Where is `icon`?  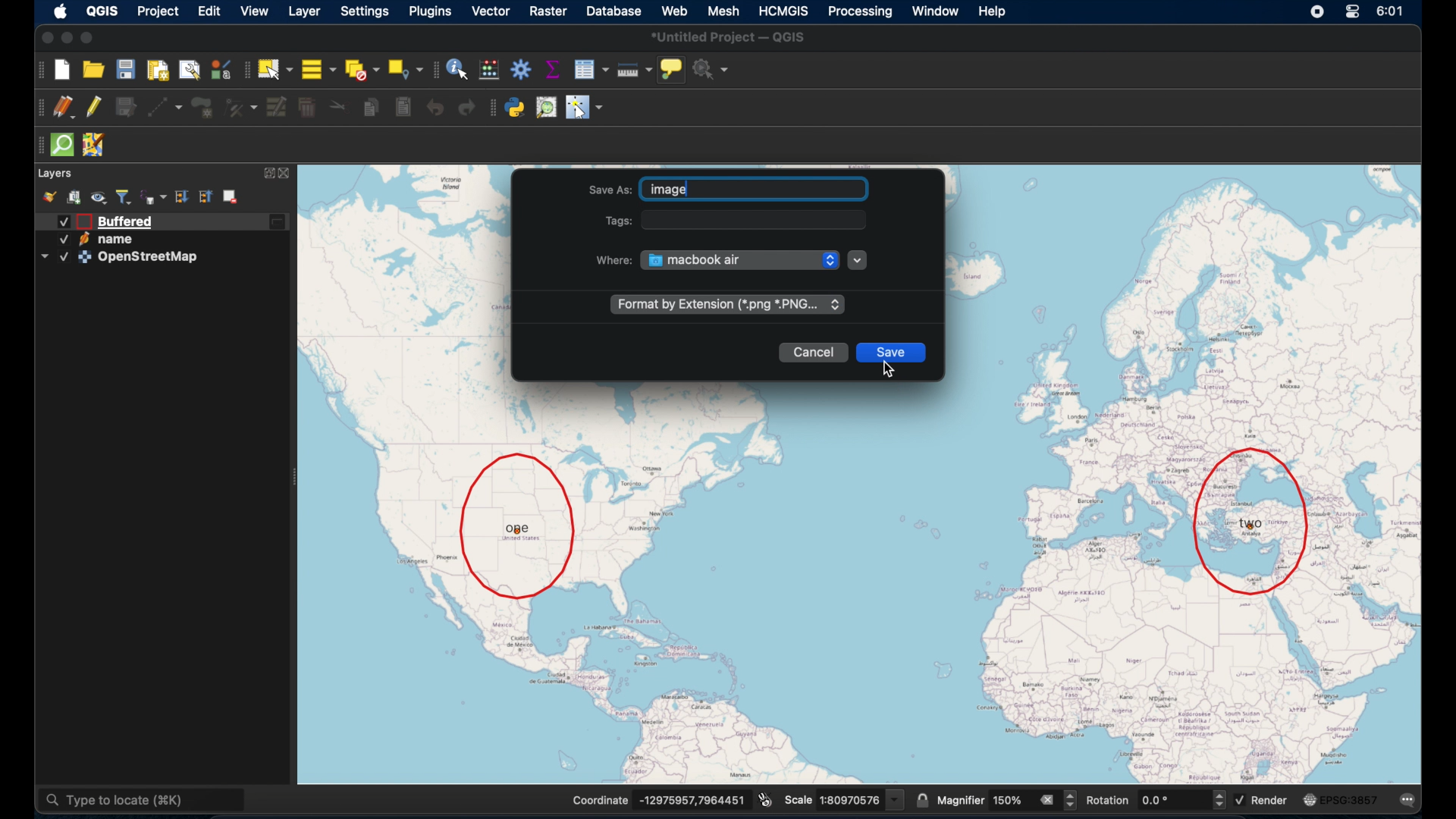
icon is located at coordinates (83, 240).